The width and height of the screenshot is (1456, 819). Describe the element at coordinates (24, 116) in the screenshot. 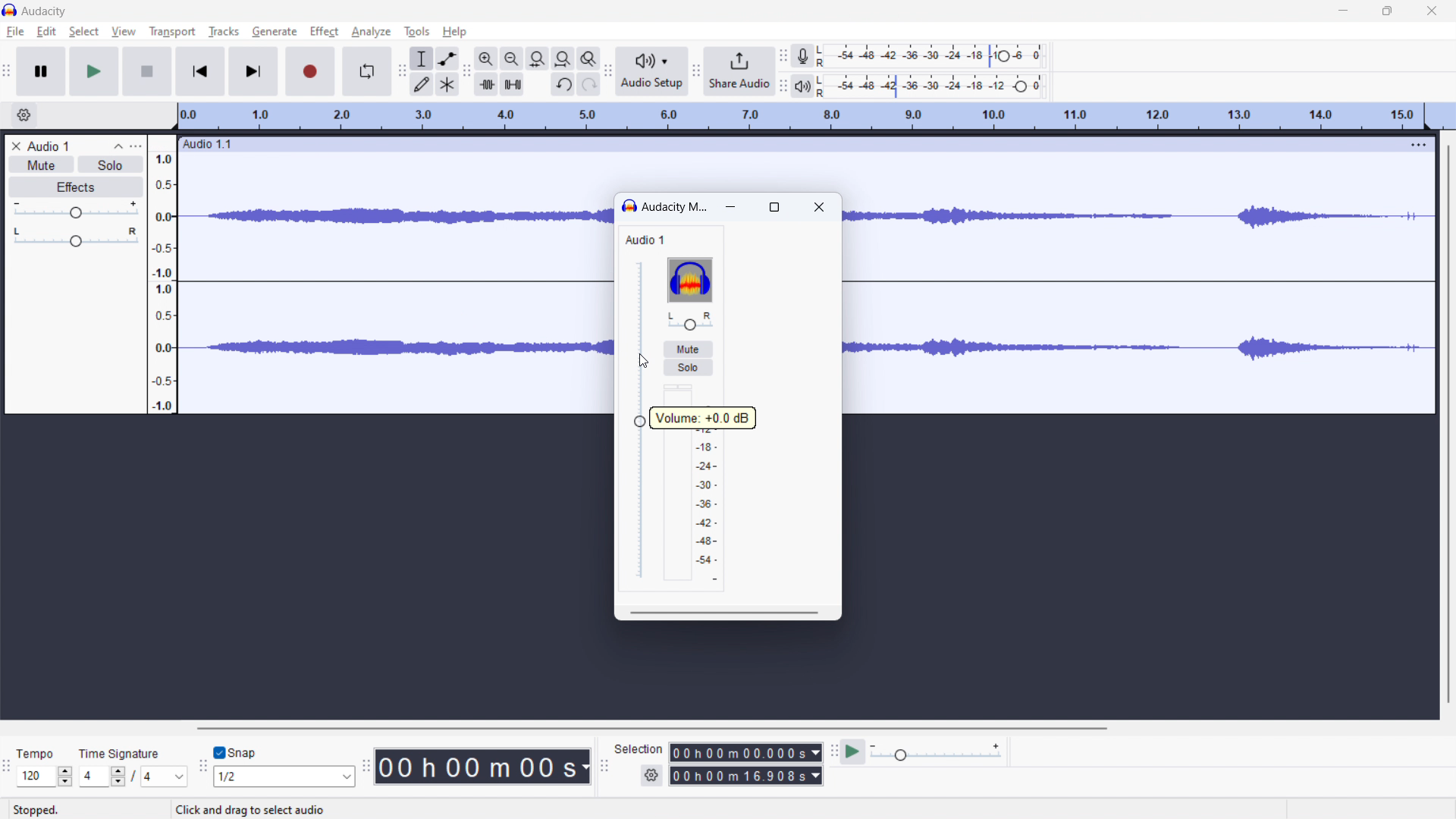

I see `timeline settings` at that location.